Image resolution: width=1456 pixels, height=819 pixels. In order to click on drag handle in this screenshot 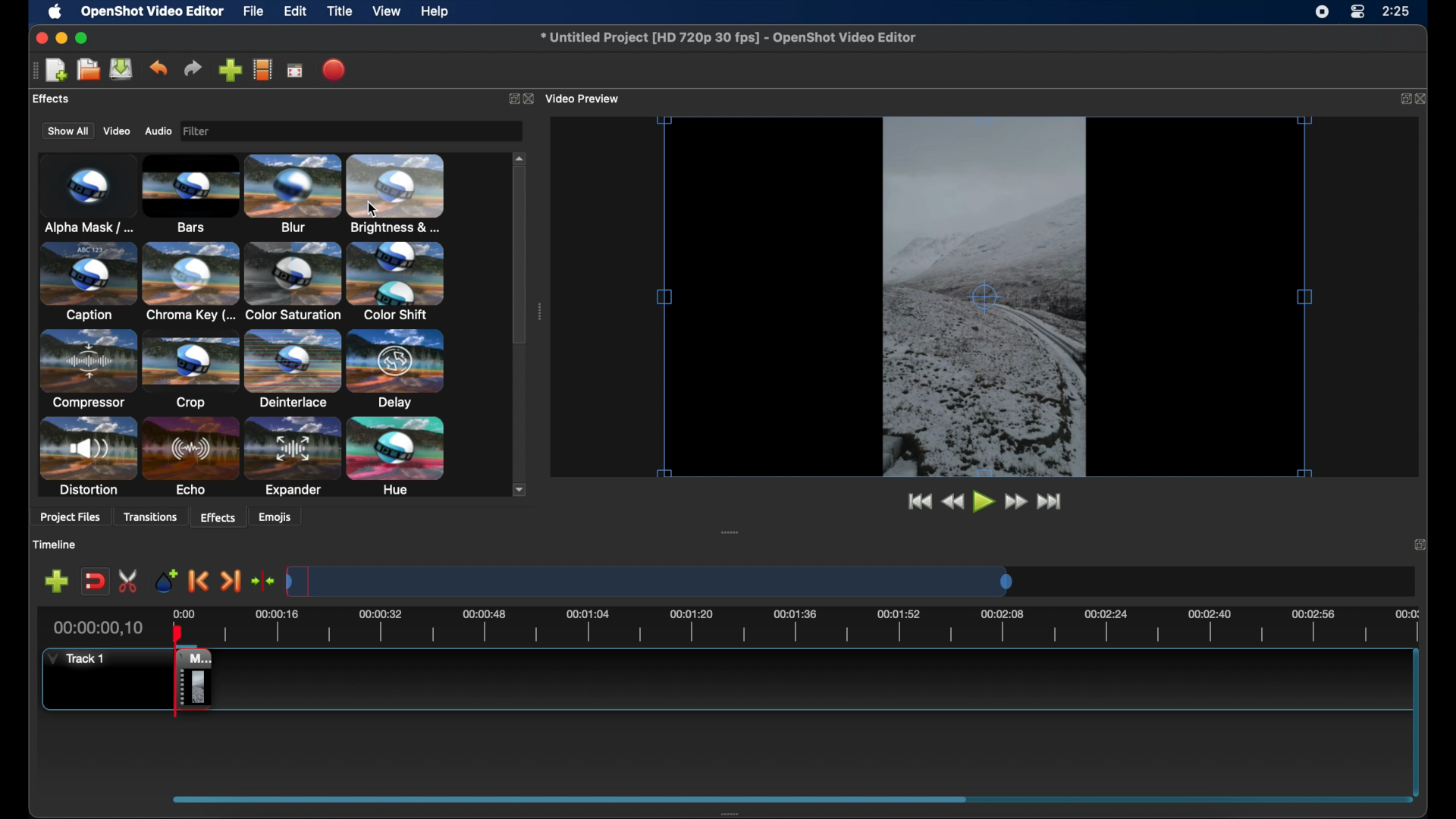, I will do `click(731, 532)`.